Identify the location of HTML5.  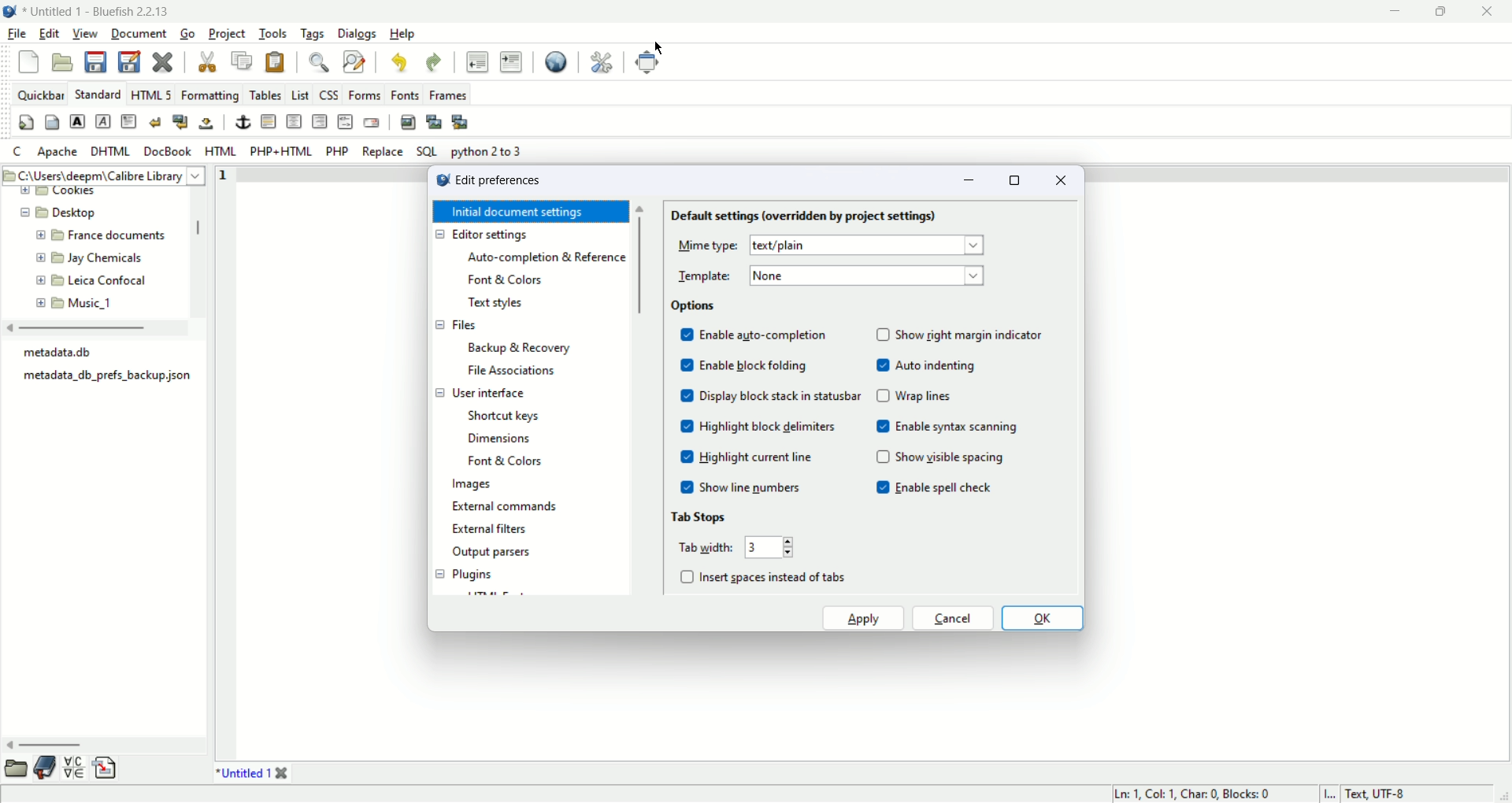
(153, 94).